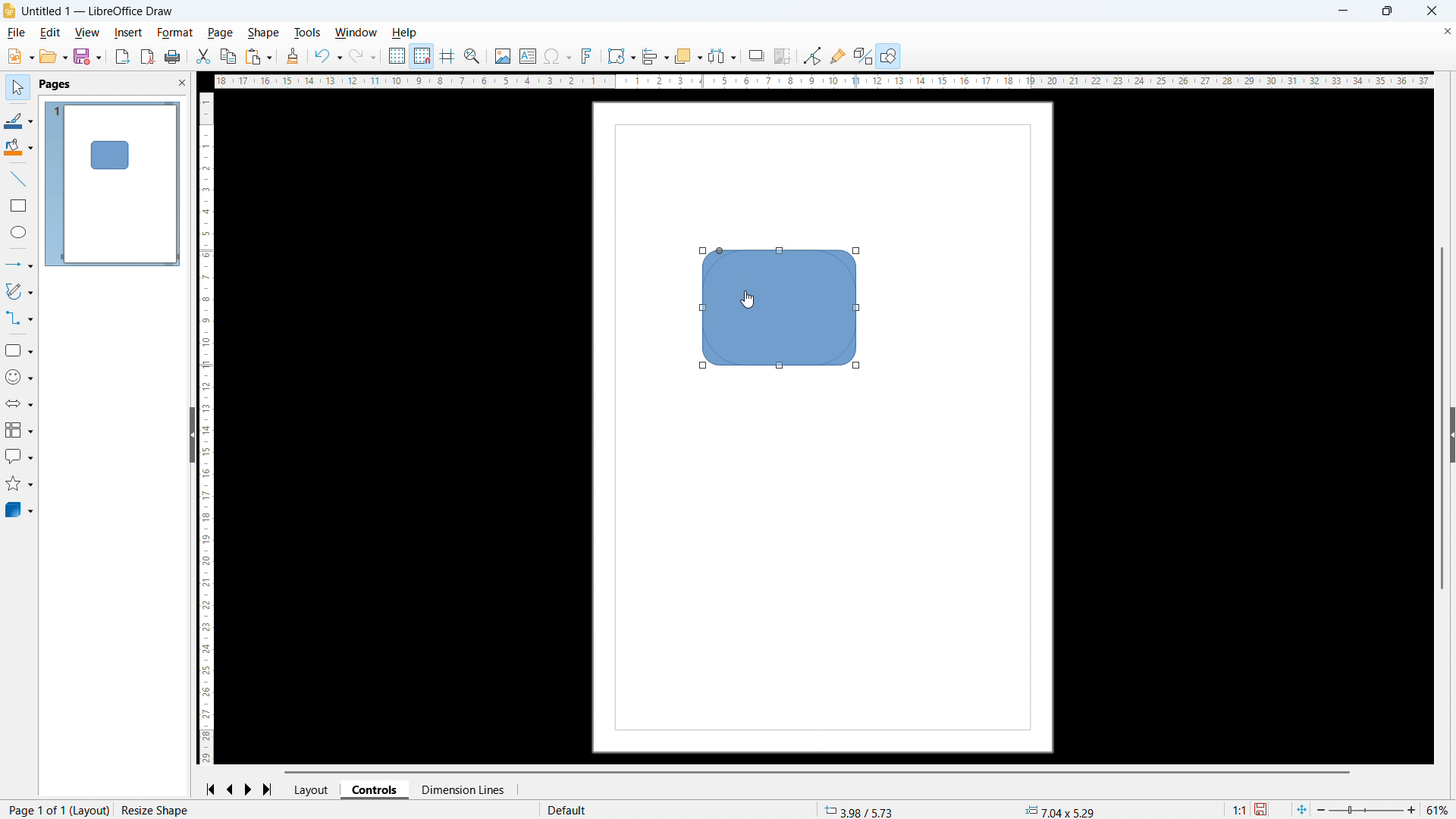 This screenshot has height=819, width=1456. Describe the element at coordinates (227, 56) in the screenshot. I see `Copy ` at that location.